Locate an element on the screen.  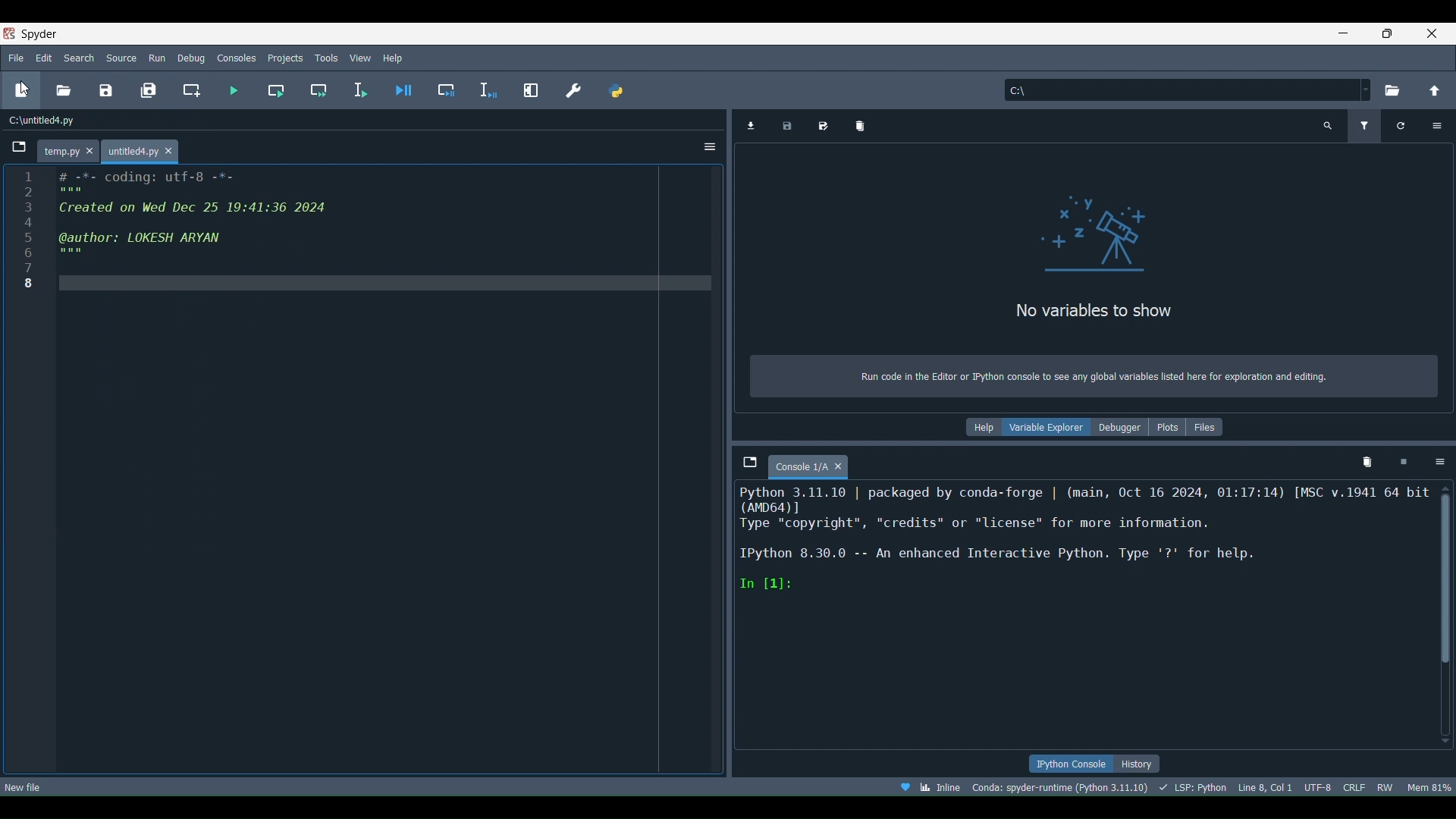
Refresh variables (Ctrl + F) is located at coordinates (1401, 125).